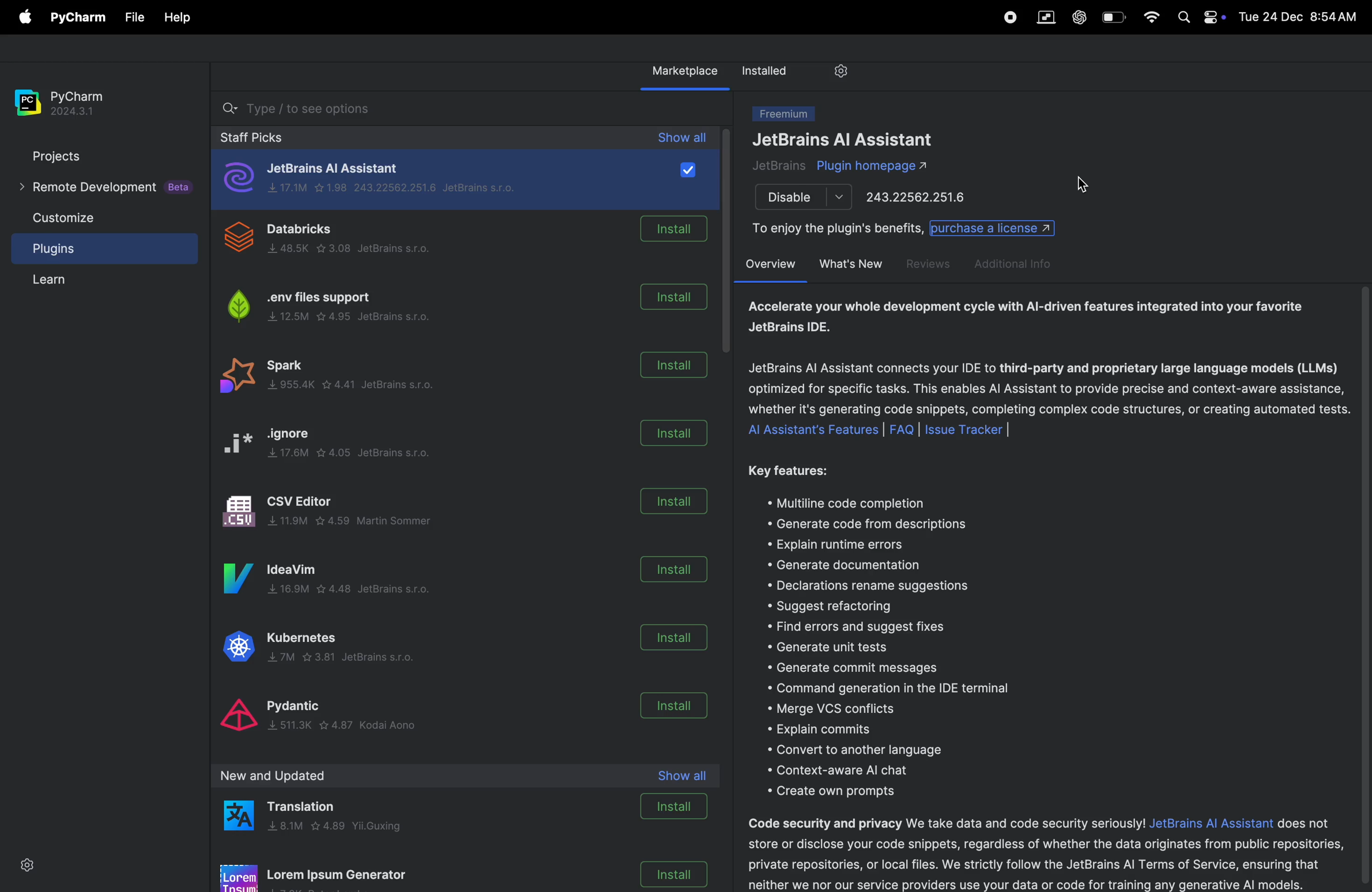  Describe the element at coordinates (328, 591) in the screenshot. I see `idea vim` at that location.